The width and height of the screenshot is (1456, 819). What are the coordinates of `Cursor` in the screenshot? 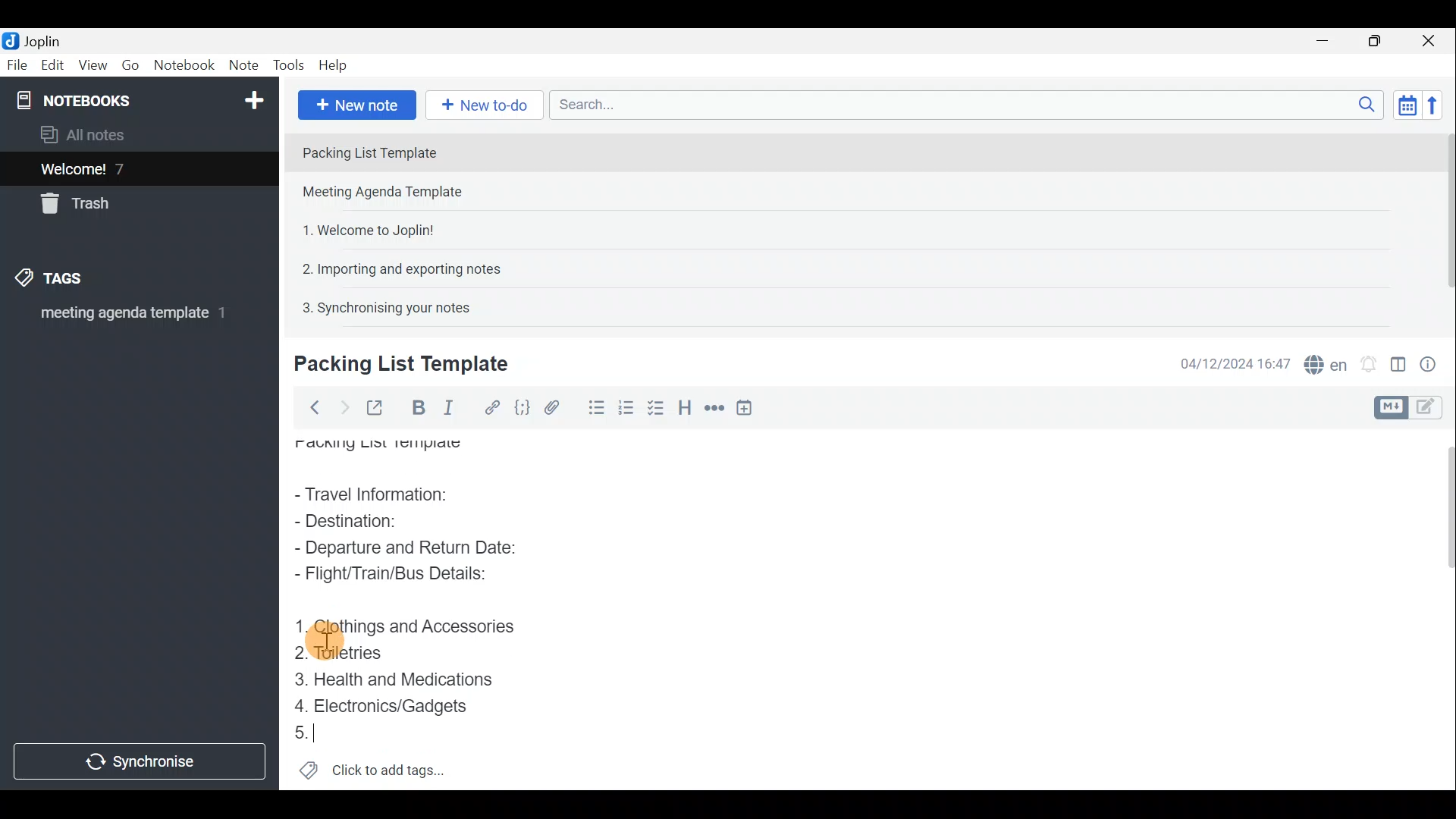 It's located at (303, 730).